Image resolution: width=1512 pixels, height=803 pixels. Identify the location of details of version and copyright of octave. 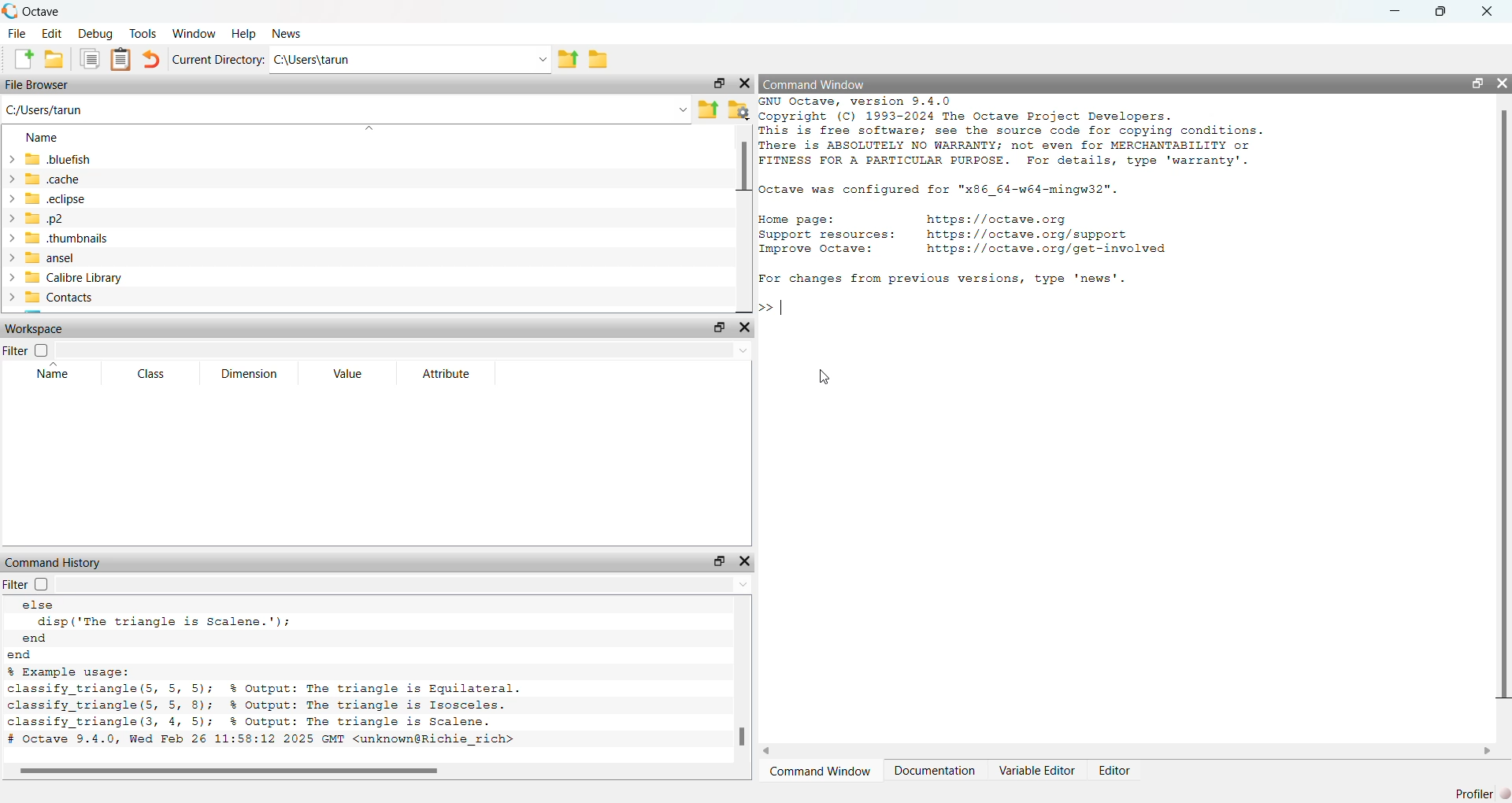
(1057, 134).